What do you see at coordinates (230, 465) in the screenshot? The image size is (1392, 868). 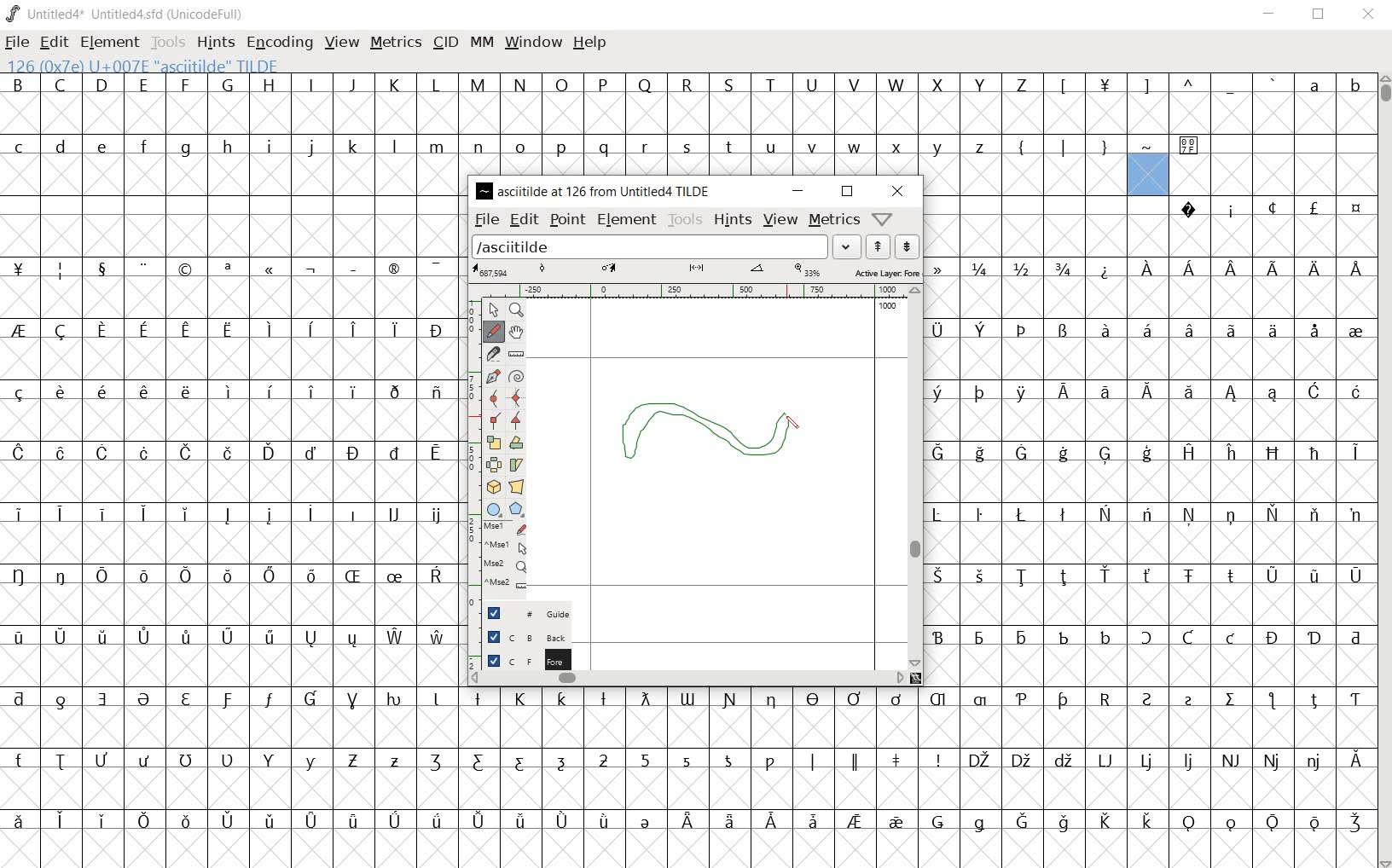 I see `glyph characters` at bounding box center [230, 465].